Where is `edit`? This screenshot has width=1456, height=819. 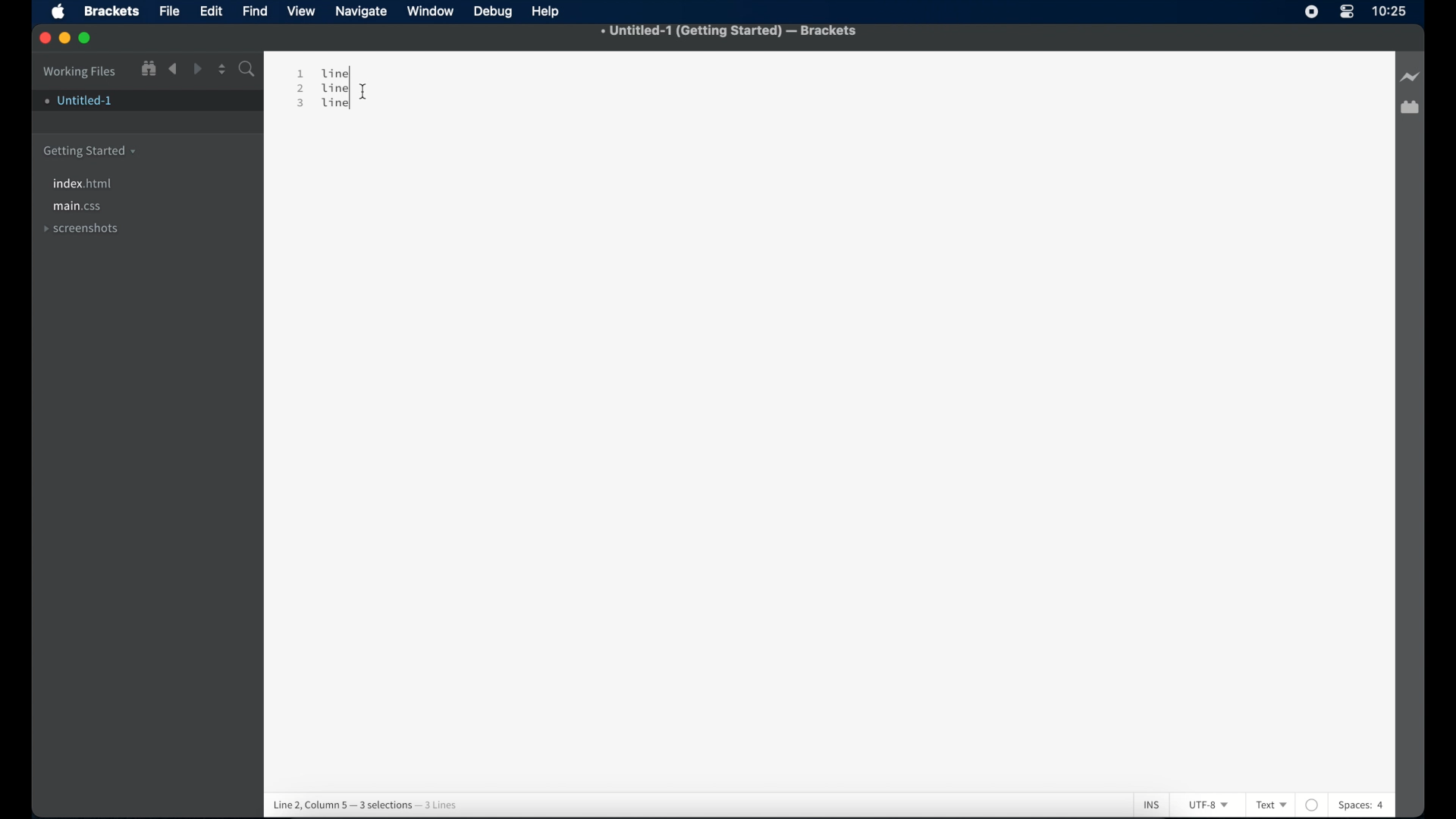 edit is located at coordinates (212, 11).